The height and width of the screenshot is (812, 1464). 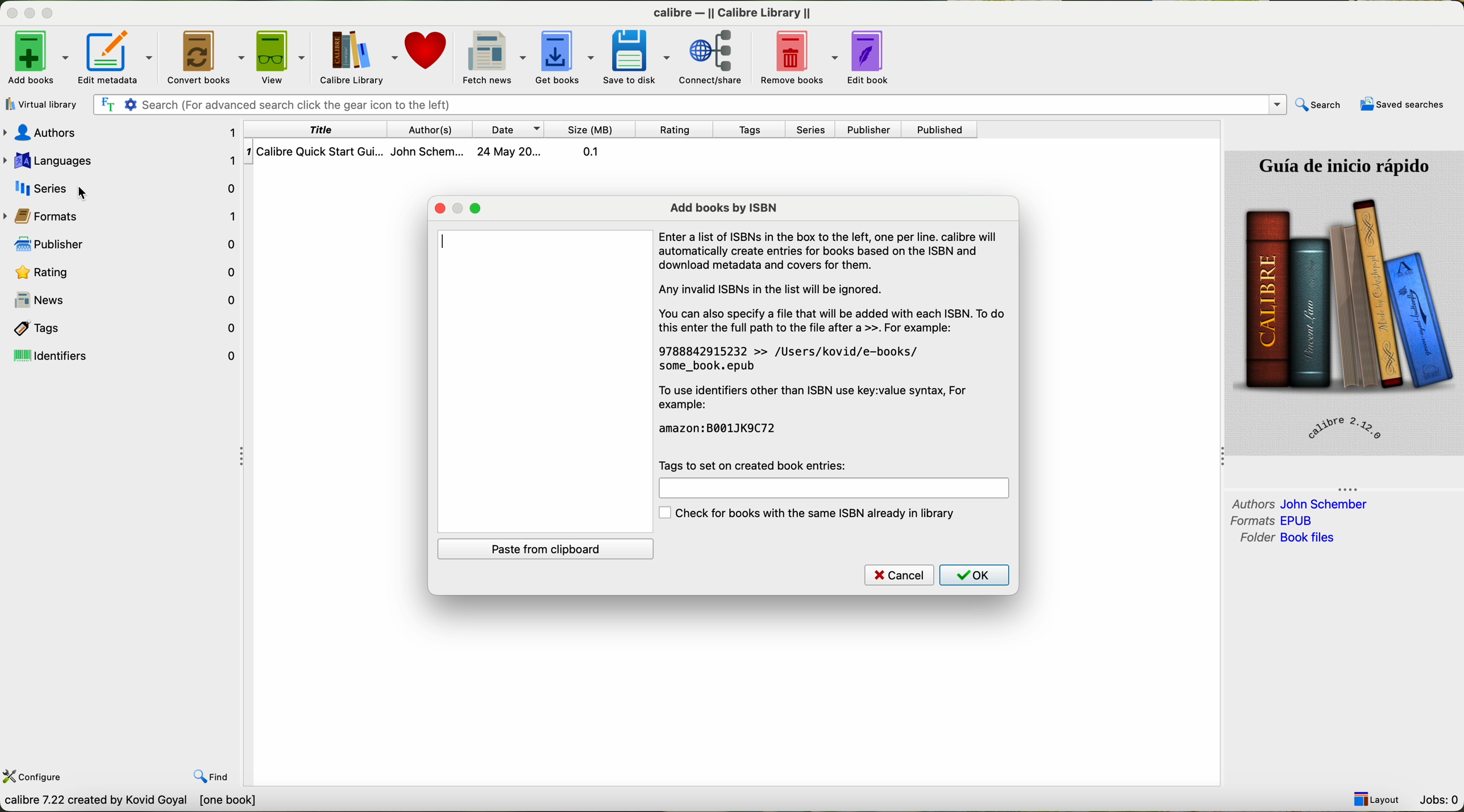 I want to click on connect/share, so click(x=710, y=59).